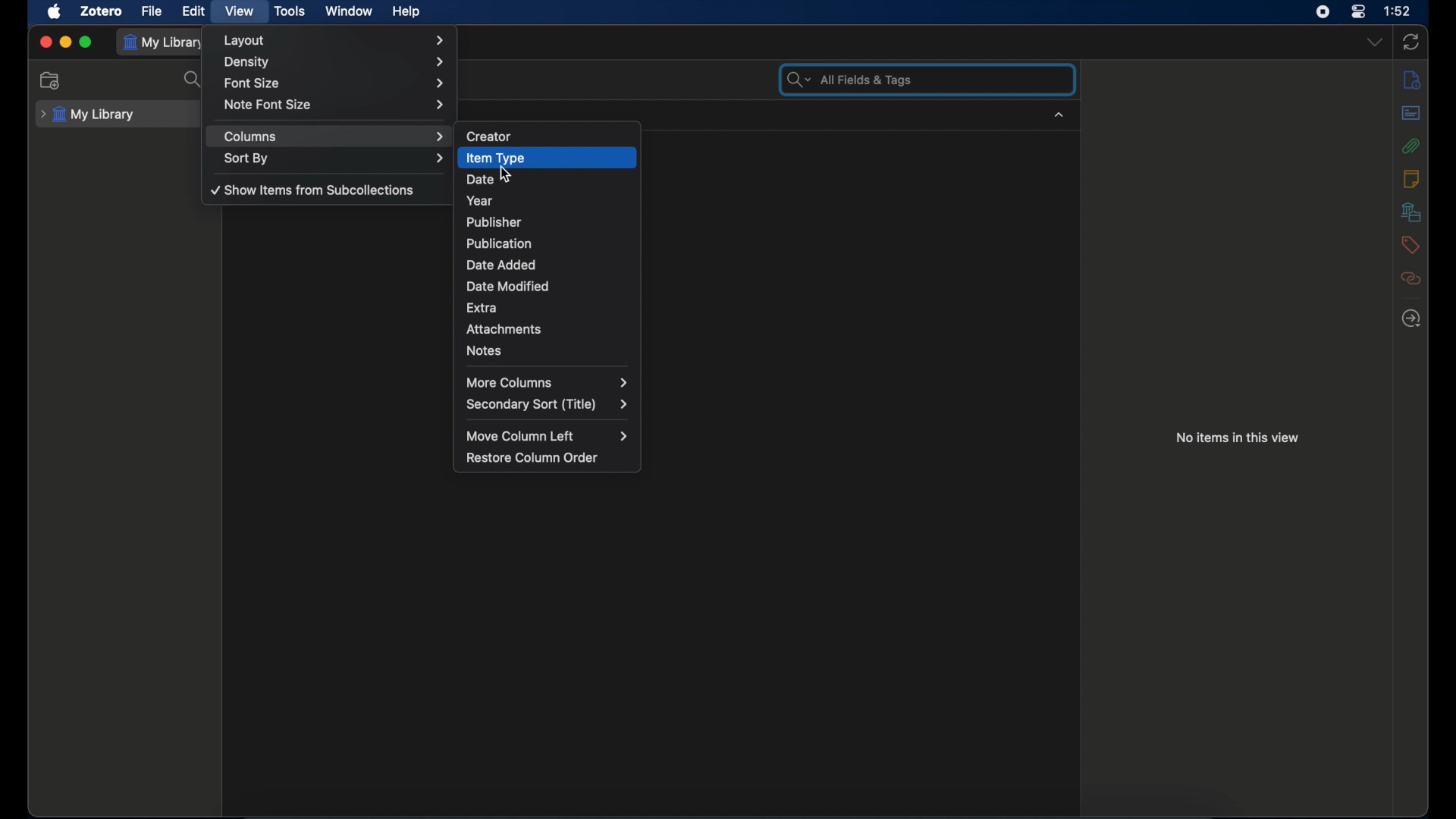  I want to click on secondary sort, so click(547, 405).